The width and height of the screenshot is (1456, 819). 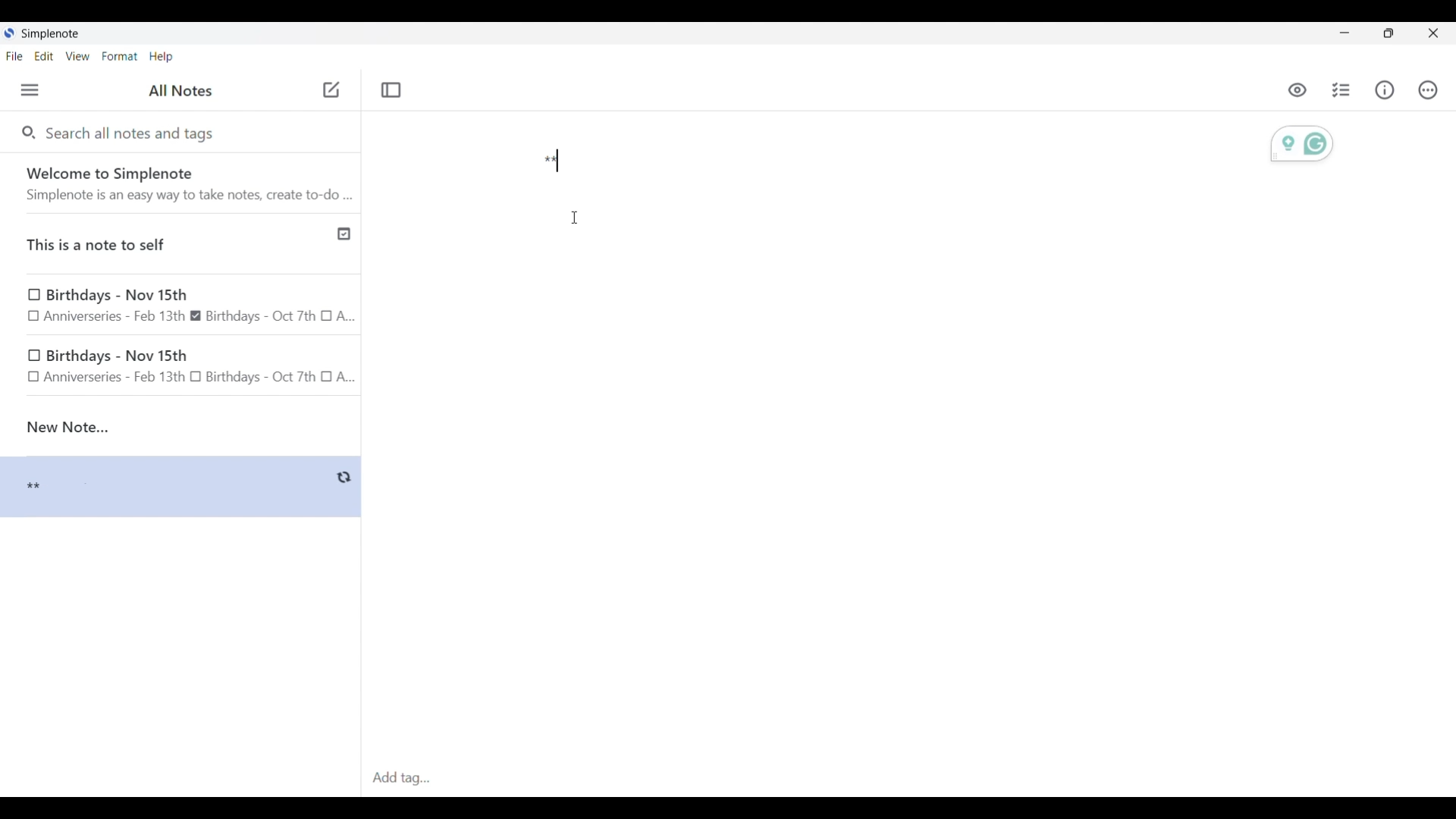 What do you see at coordinates (181, 306) in the screenshot?
I see `Birthday note` at bounding box center [181, 306].